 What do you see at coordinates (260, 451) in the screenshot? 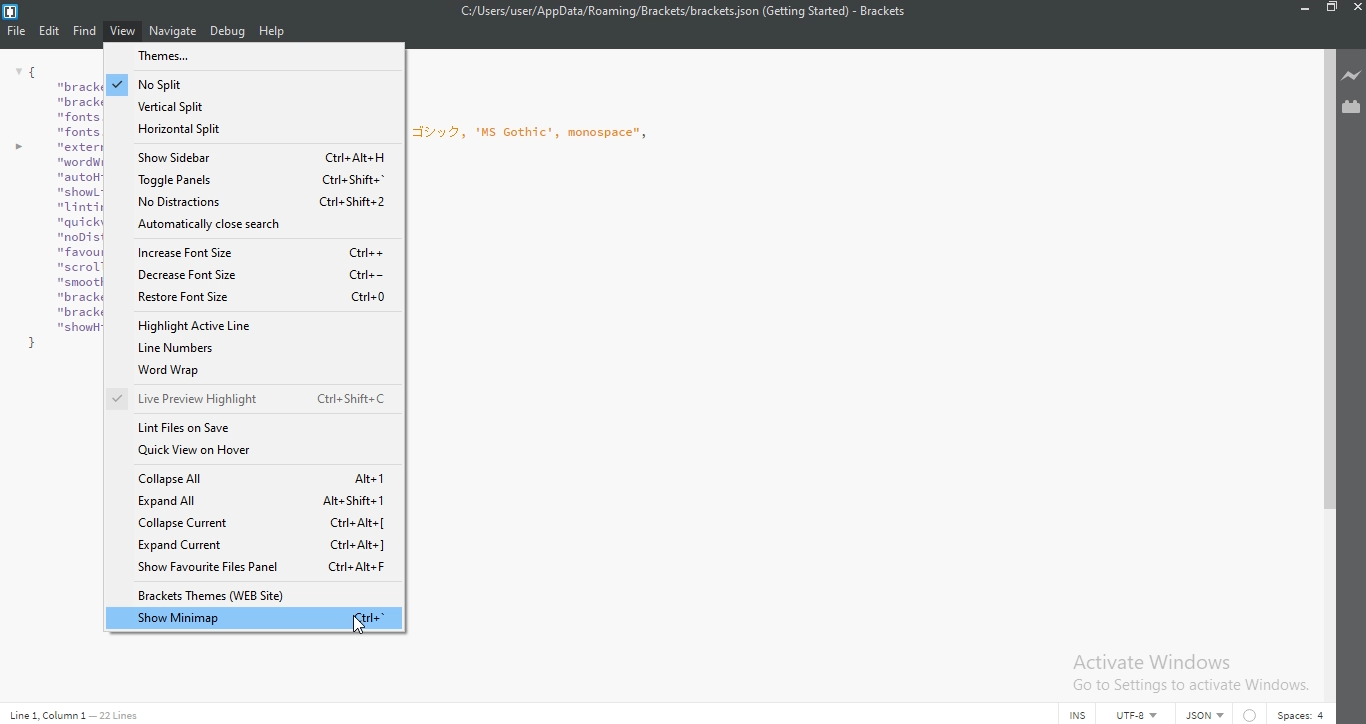
I see `quick view on hover` at bounding box center [260, 451].